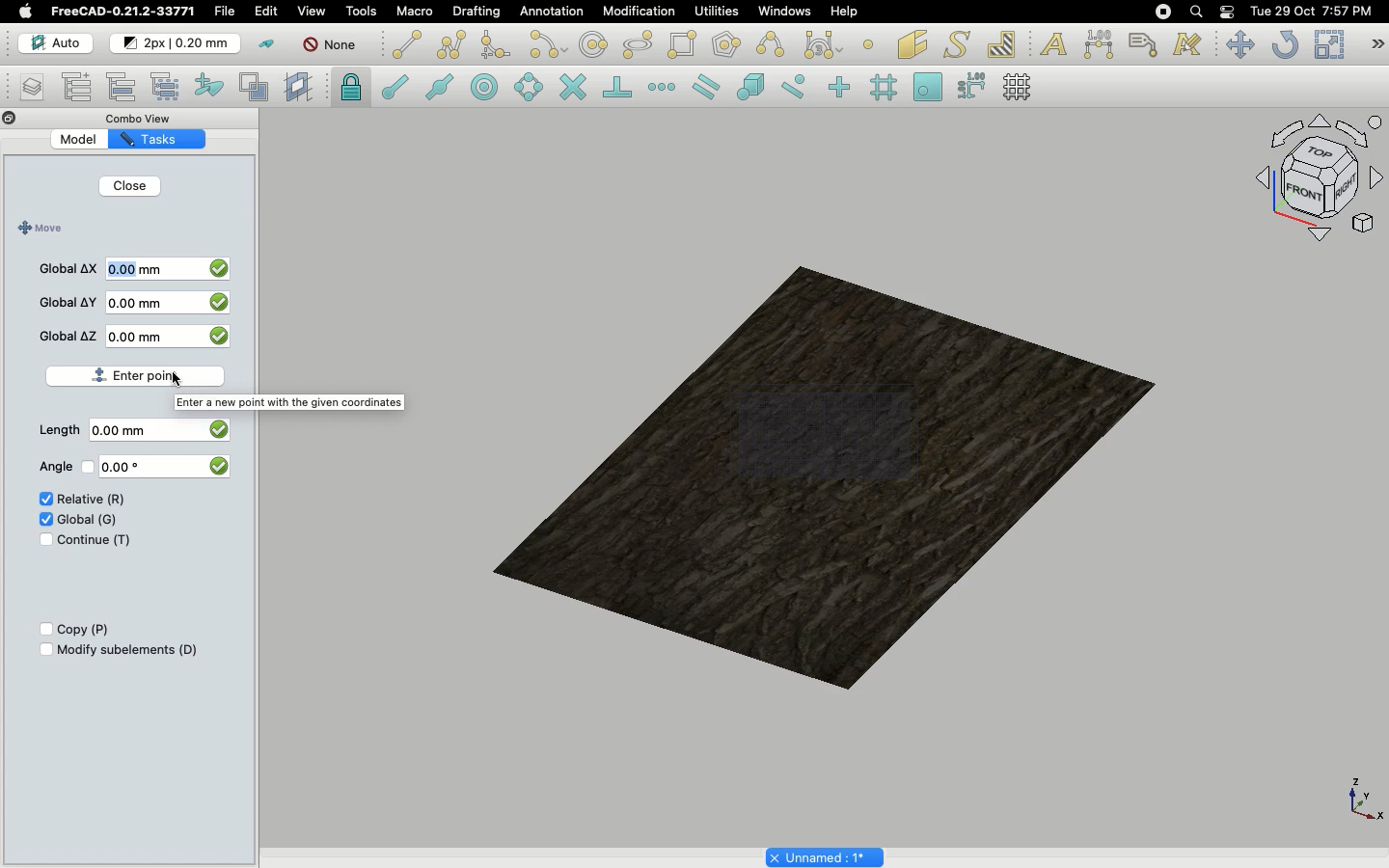 The height and width of the screenshot is (868, 1389). Describe the element at coordinates (258, 88) in the screenshot. I see `Create working plane proxy` at that location.